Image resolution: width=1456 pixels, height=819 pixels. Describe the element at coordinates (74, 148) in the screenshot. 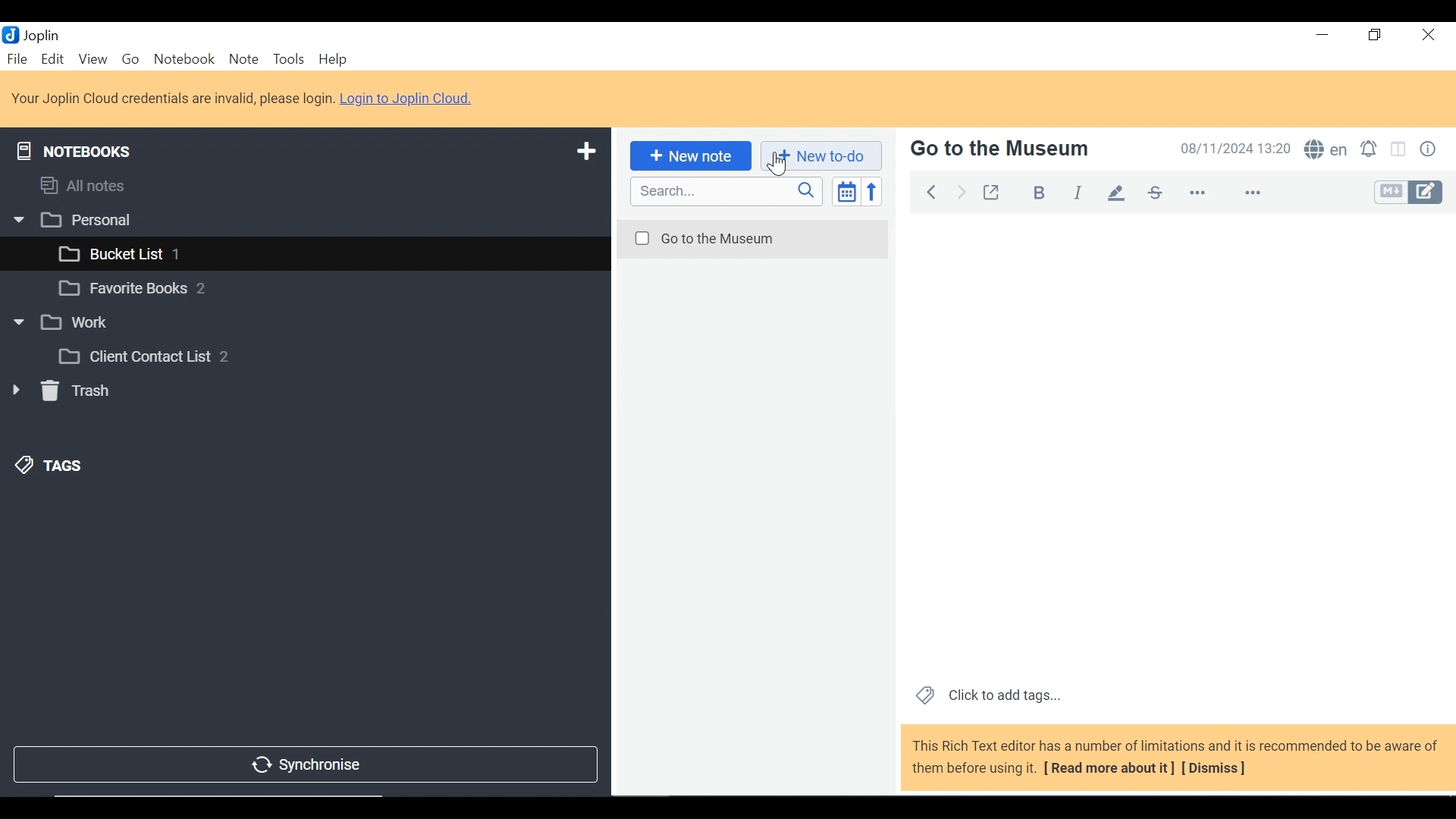

I see `Notebooks` at that location.